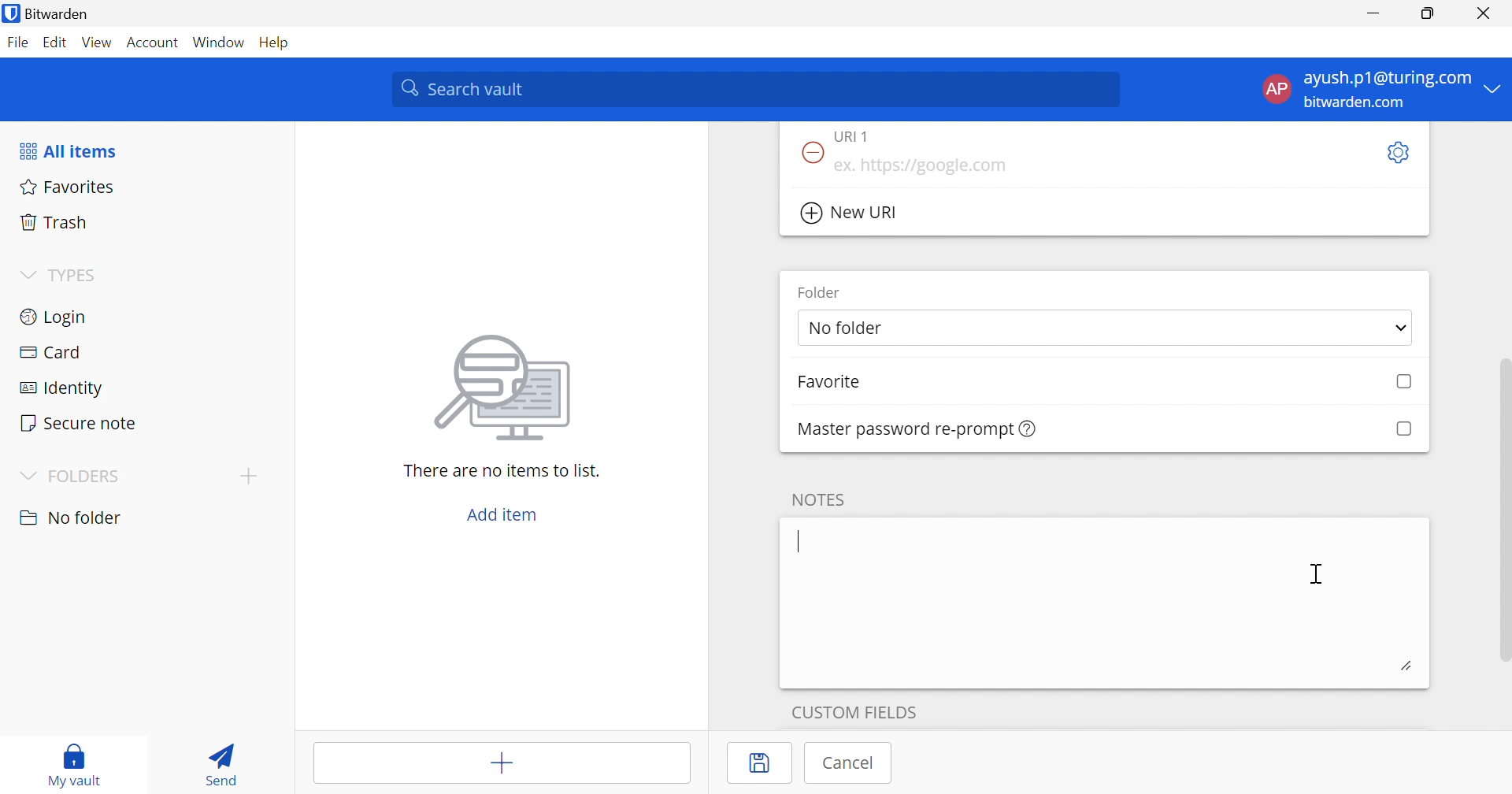  Describe the element at coordinates (503, 765) in the screenshot. I see `Add item` at that location.